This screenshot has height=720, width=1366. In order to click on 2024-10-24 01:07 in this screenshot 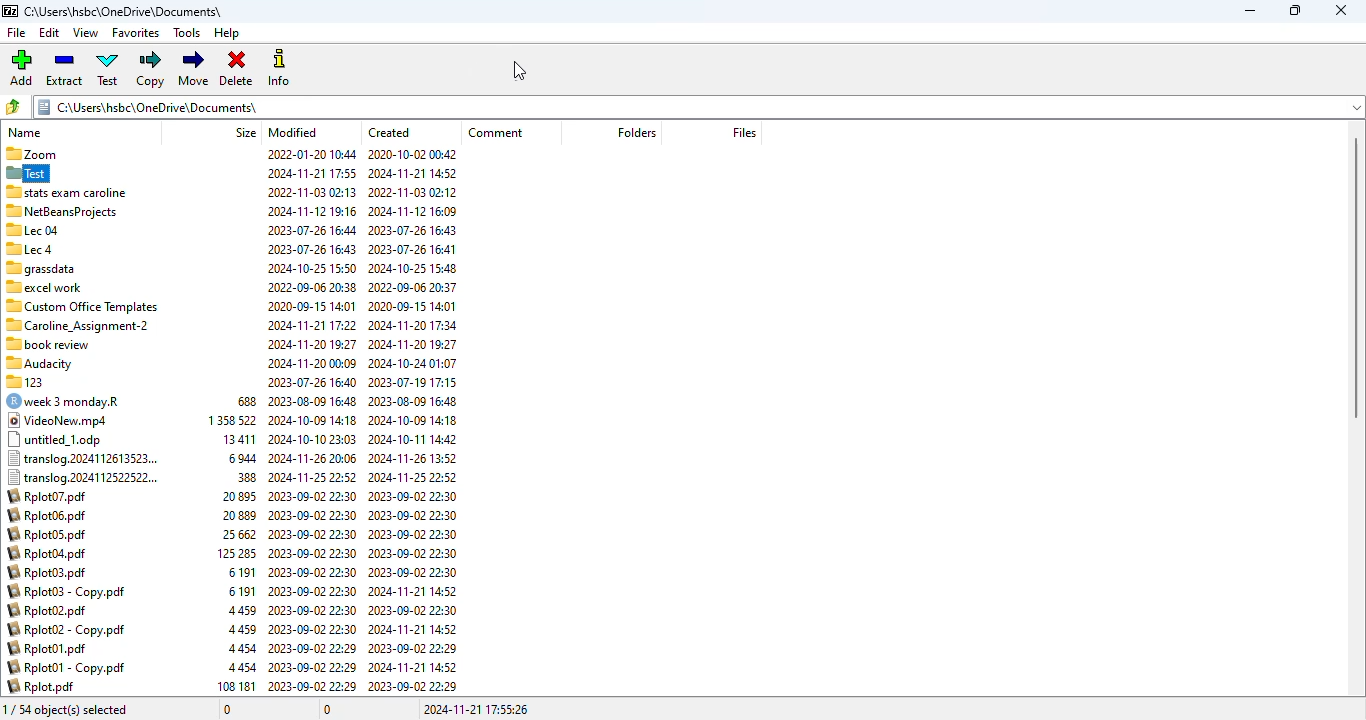, I will do `click(413, 363)`.